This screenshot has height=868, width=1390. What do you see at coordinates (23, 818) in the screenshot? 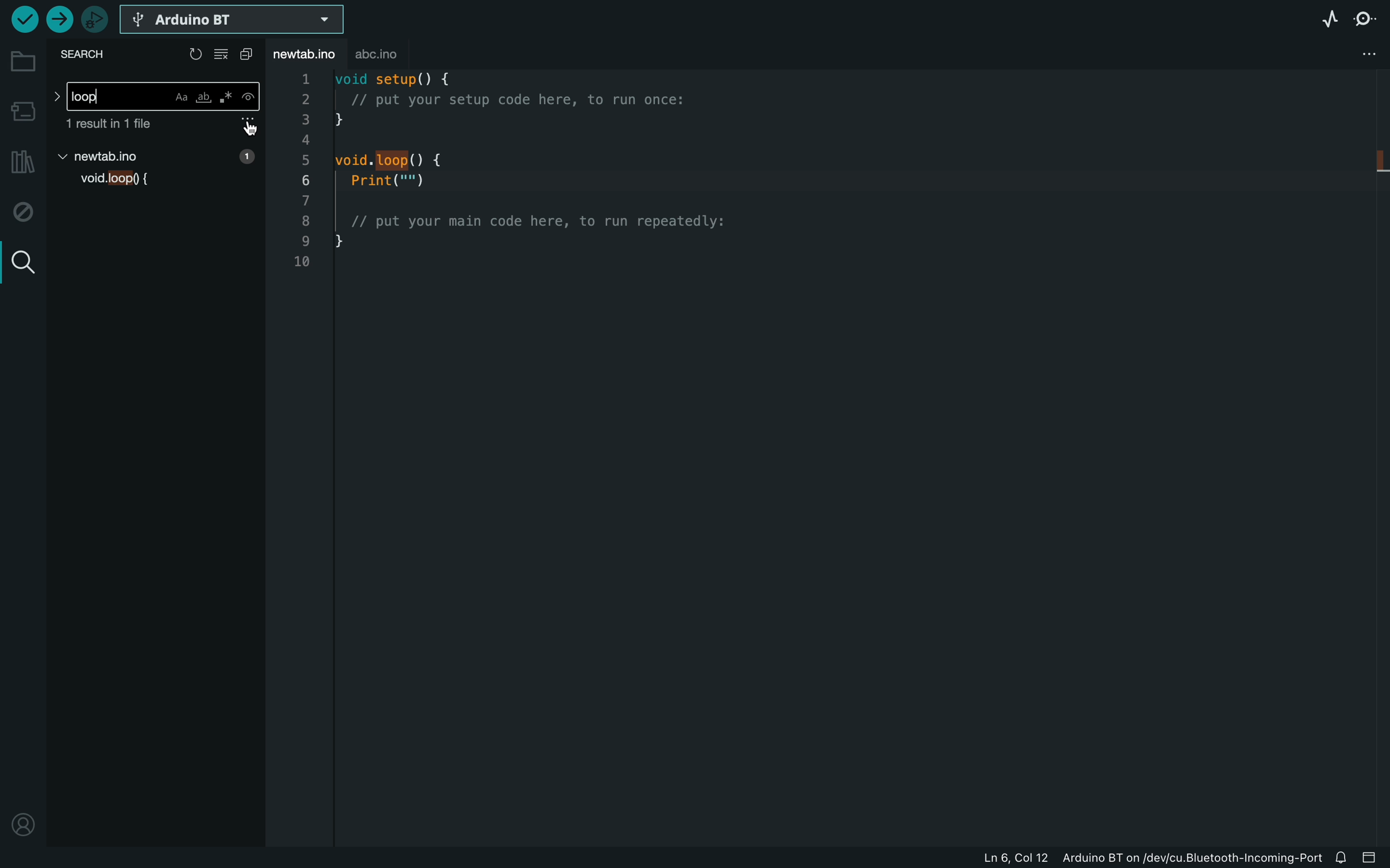
I see `profile` at bounding box center [23, 818].